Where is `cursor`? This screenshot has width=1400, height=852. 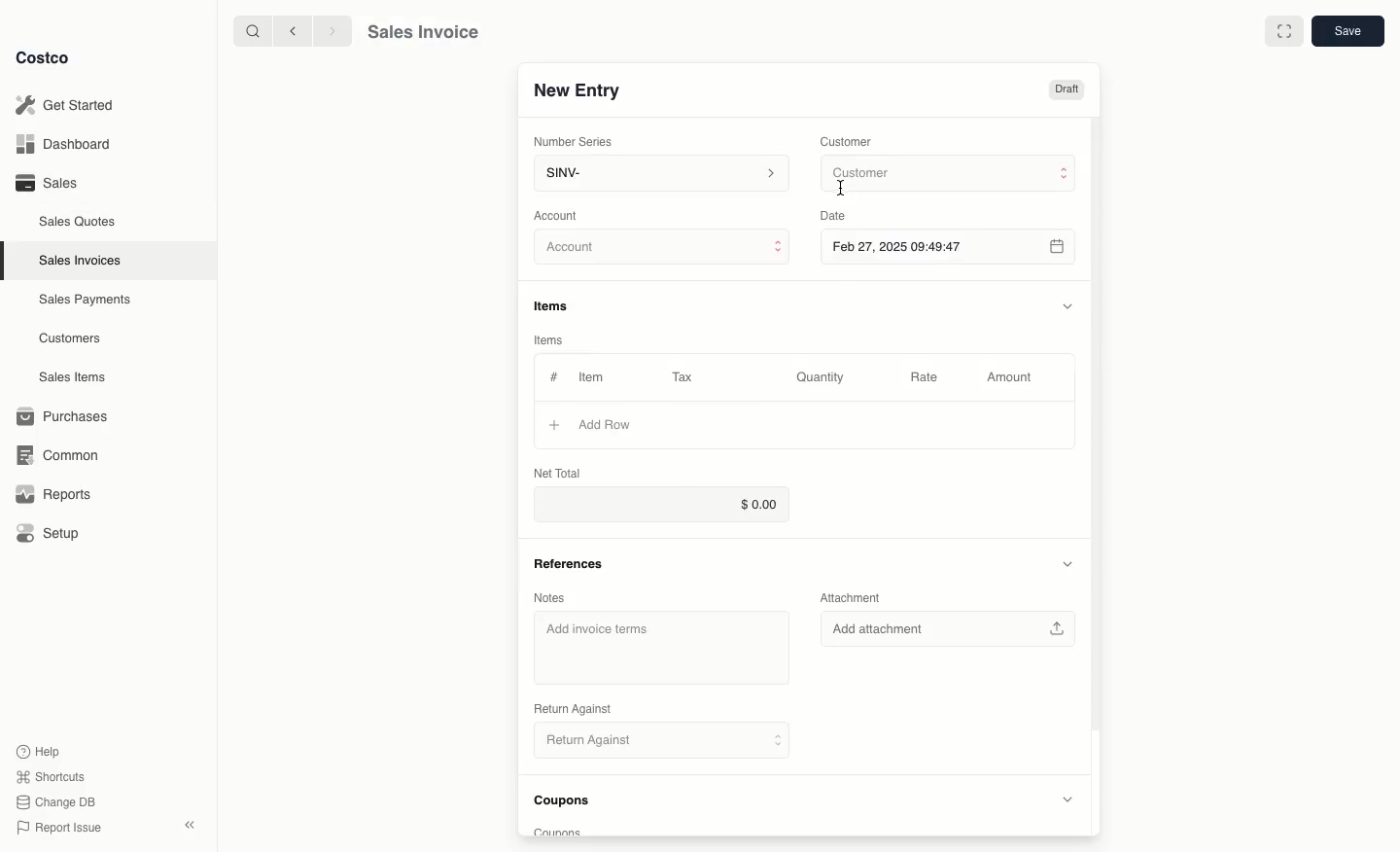 cursor is located at coordinates (843, 189).